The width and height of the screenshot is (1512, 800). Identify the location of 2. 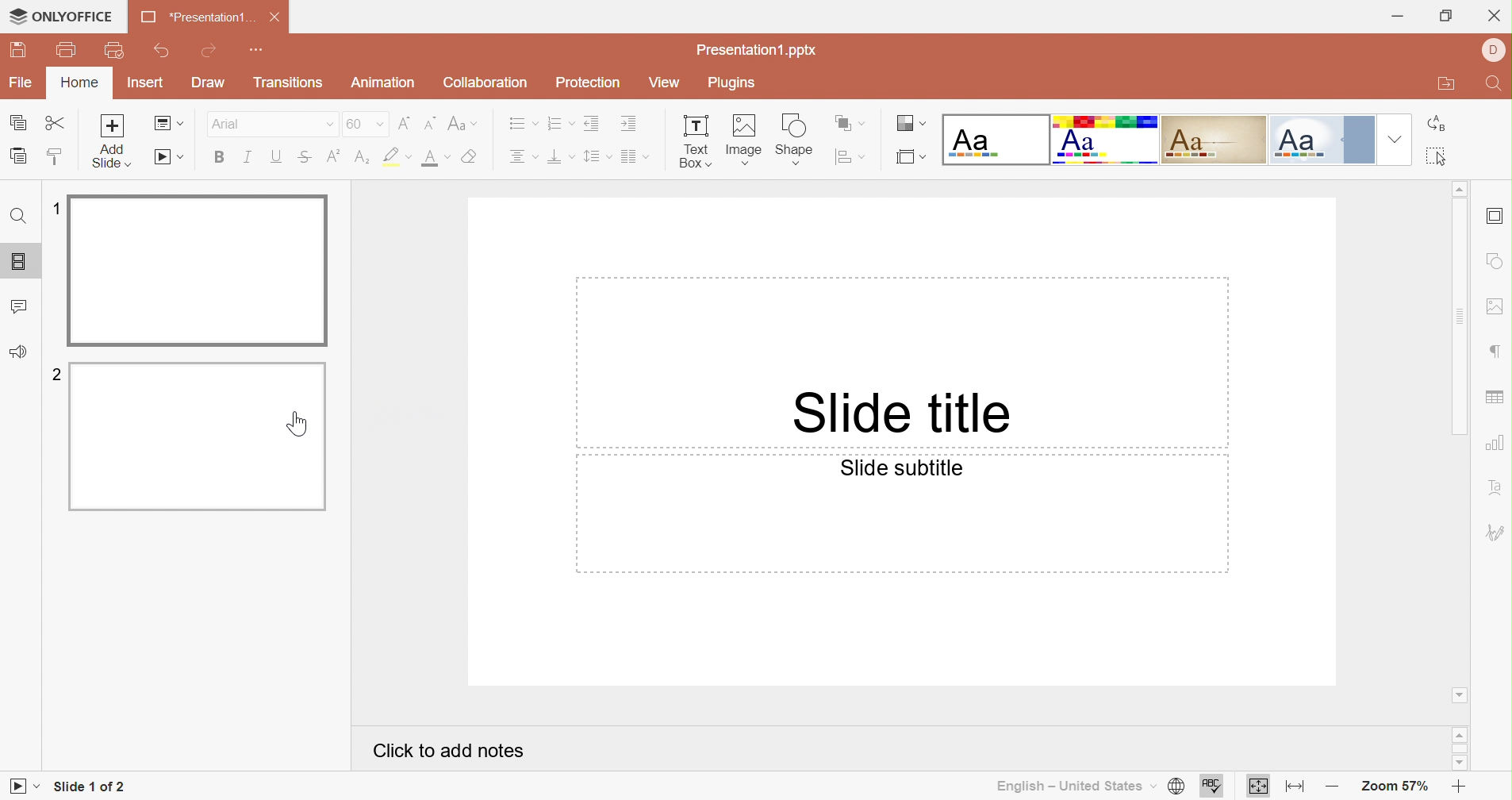
(55, 376).